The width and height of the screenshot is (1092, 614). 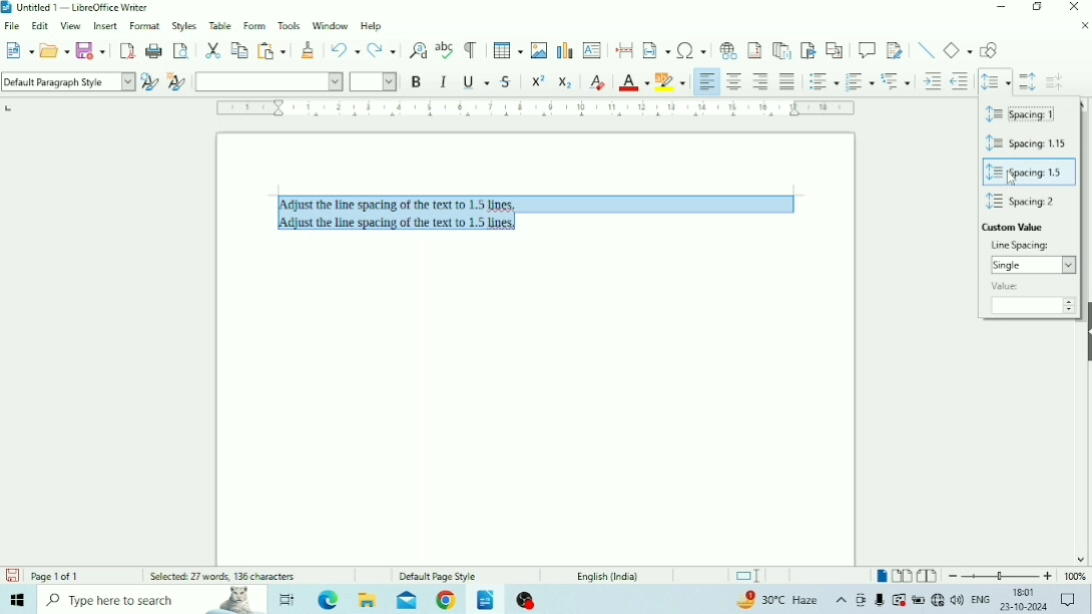 What do you see at coordinates (926, 575) in the screenshot?
I see `Book view` at bounding box center [926, 575].